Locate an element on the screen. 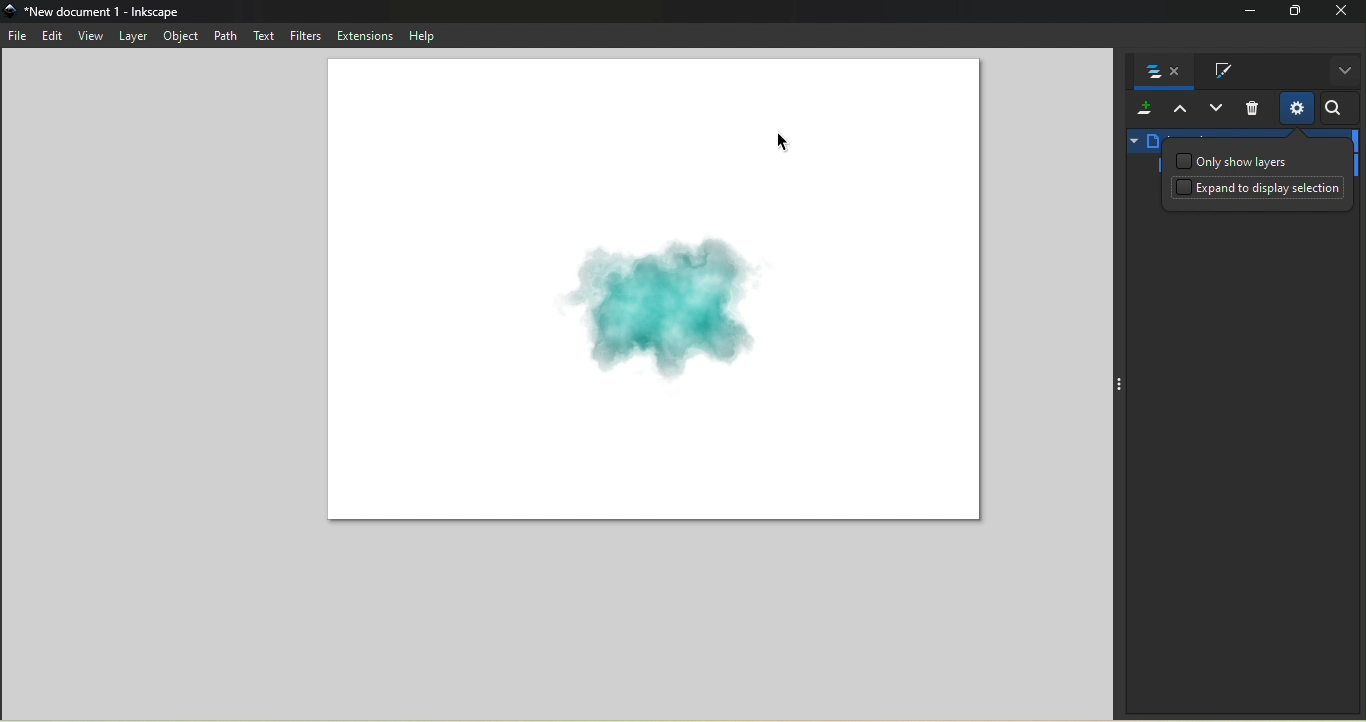 Image resolution: width=1366 pixels, height=722 pixels. Object is located at coordinates (180, 36).